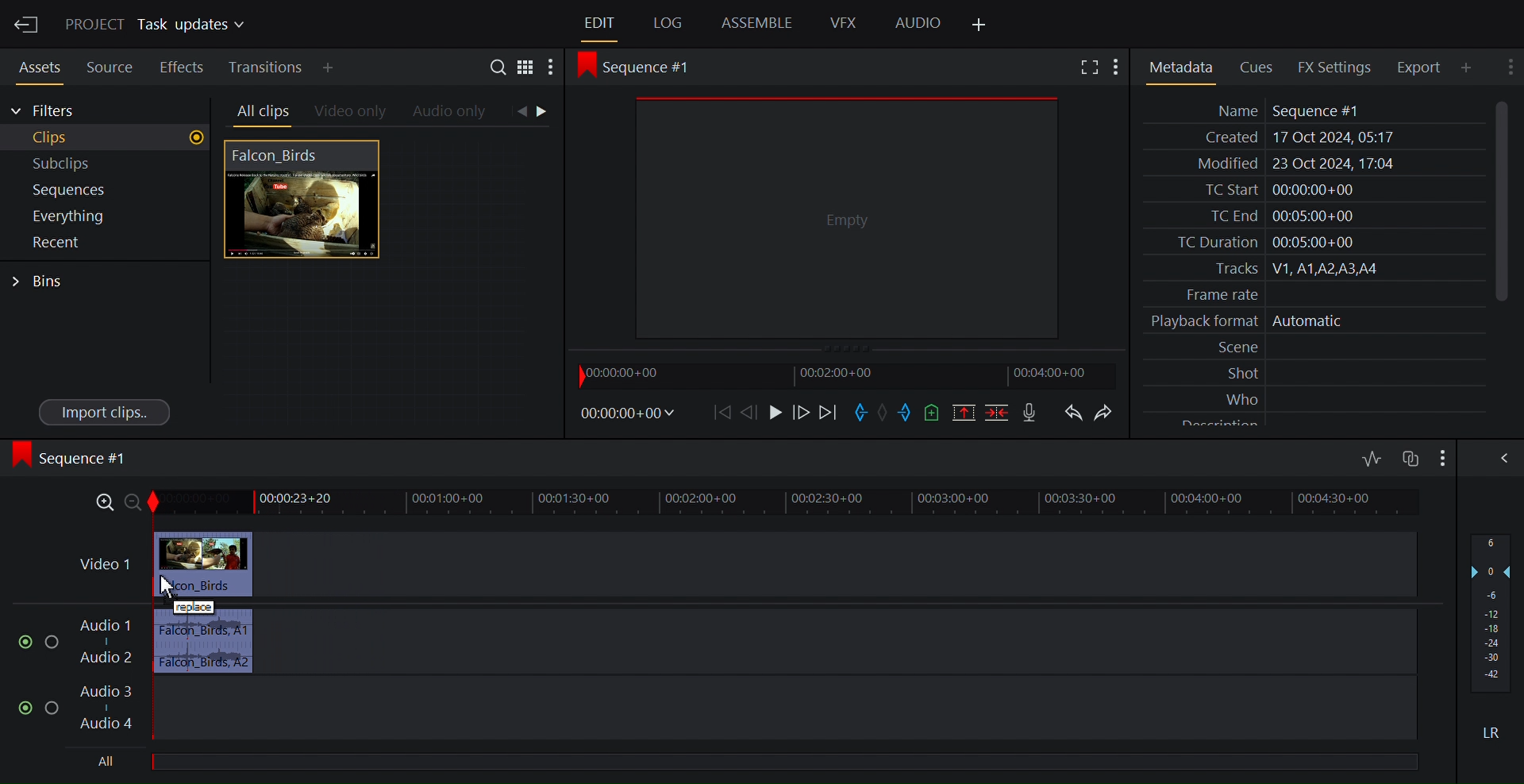 Image resolution: width=1524 pixels, height=784 pixels. I want to click on Exit the current project, so click(25, 24).